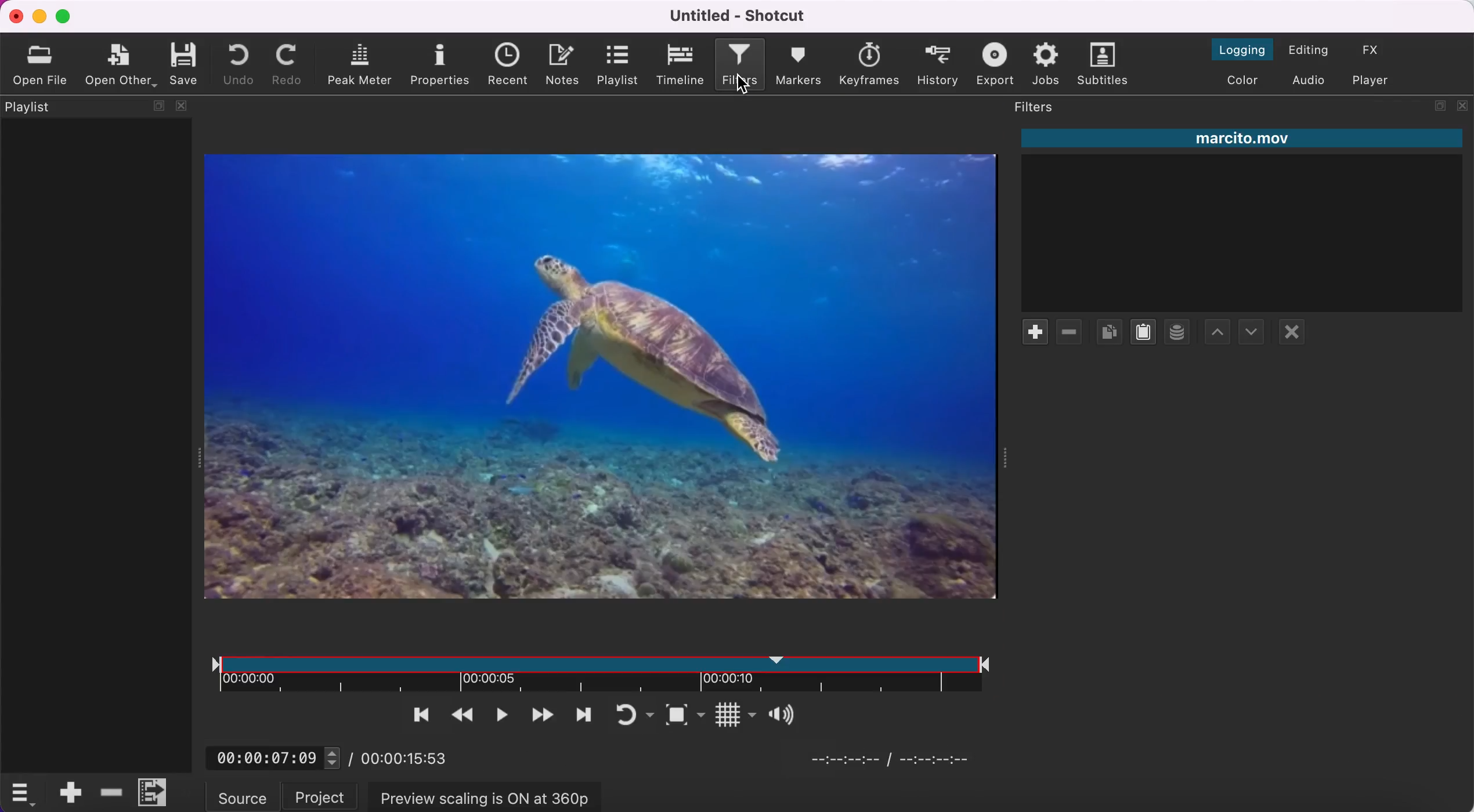 The image size is (1474, 812). Describe the element at coordinates (868, 61) in the screenshot. I see `keyframes` at that location.